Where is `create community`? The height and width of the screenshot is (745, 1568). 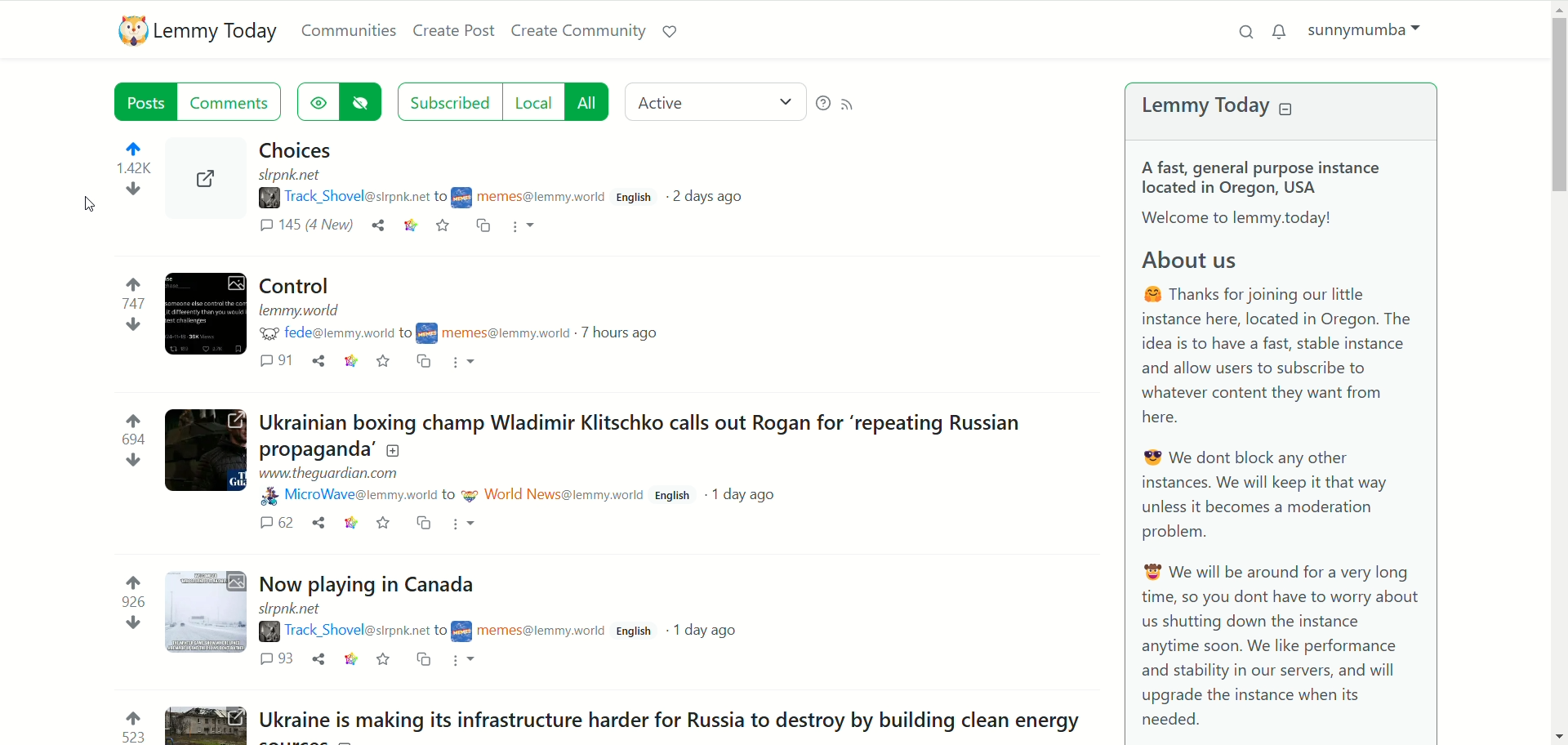 create community is located at coordinates (581, 31).